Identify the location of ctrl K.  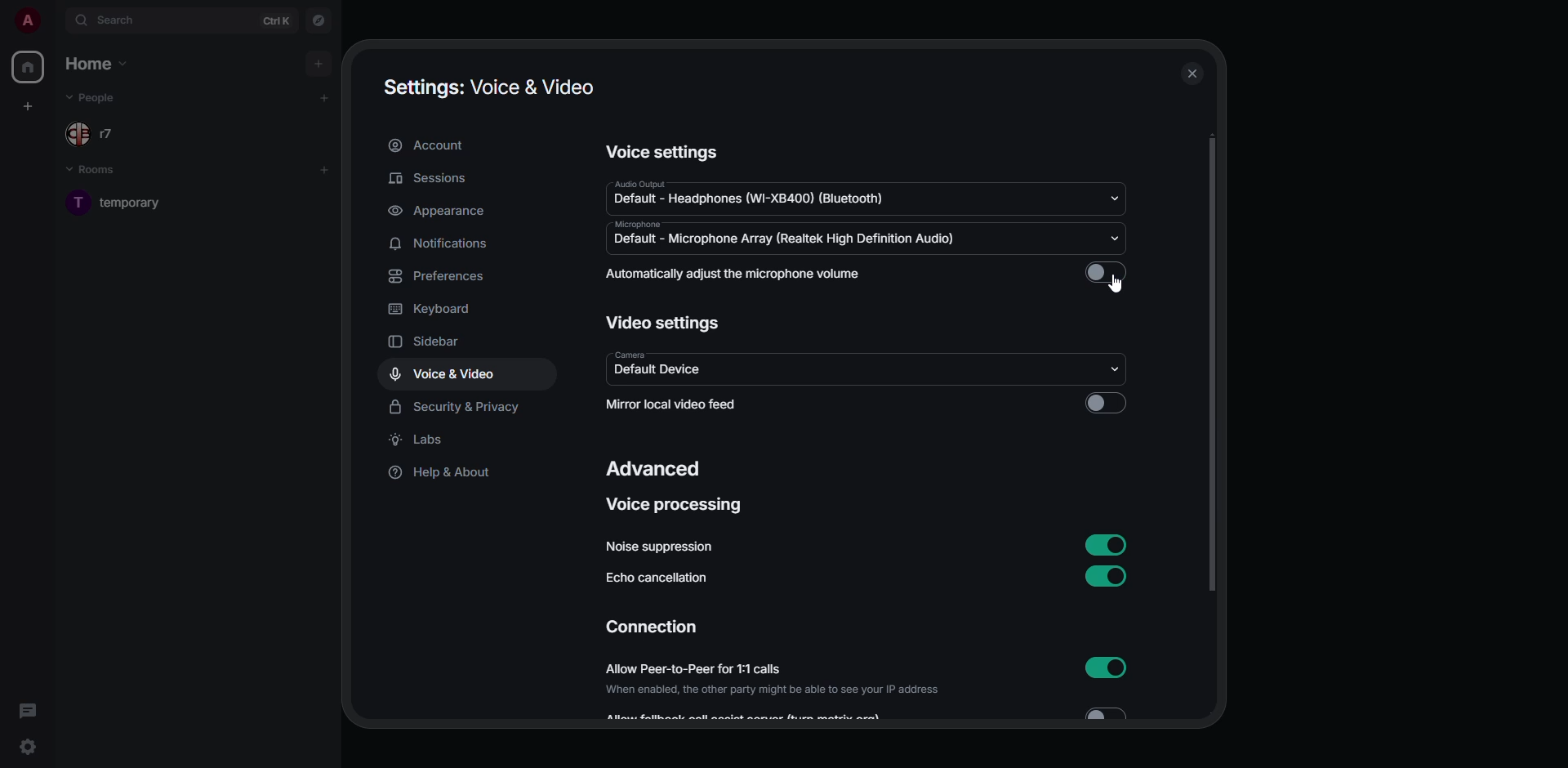
(279, 21).